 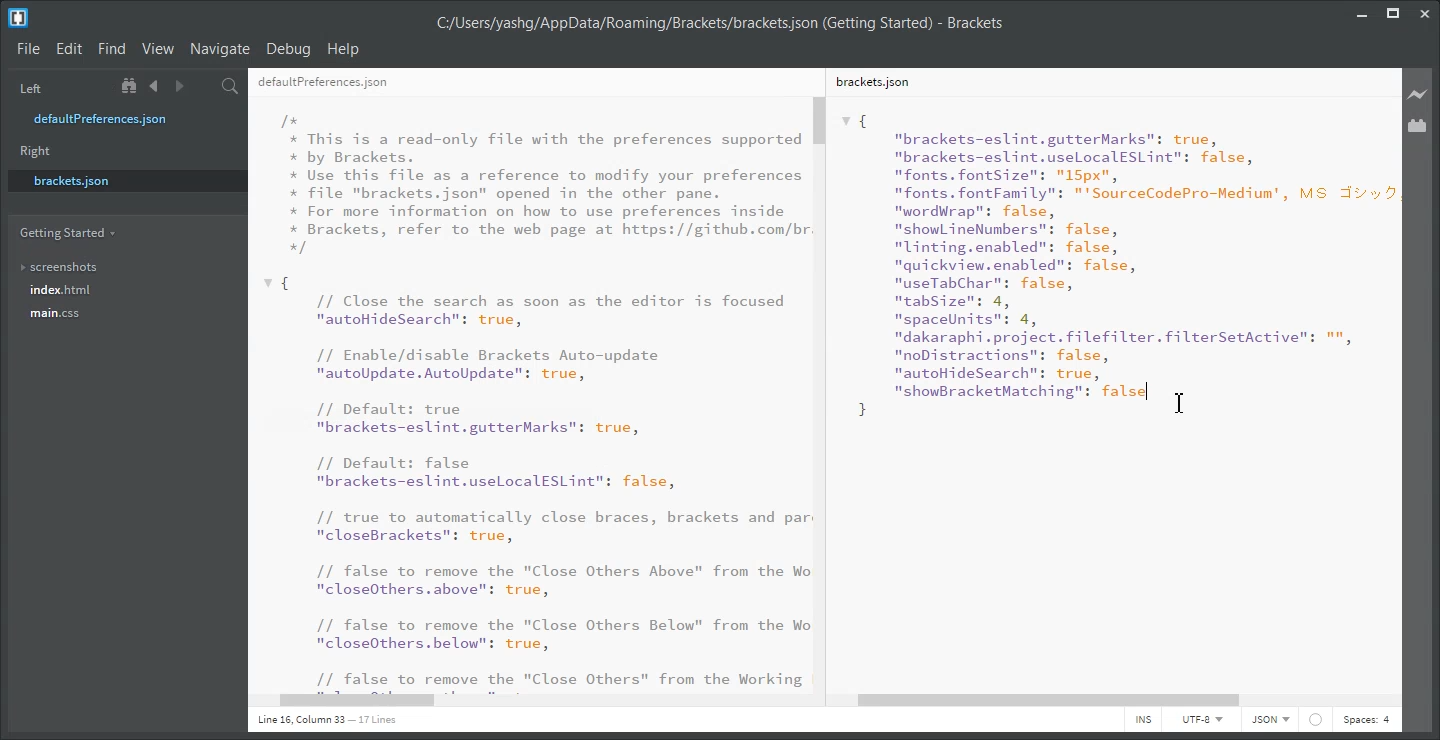 I want to click on JSON, so click(x=1271, y=720).